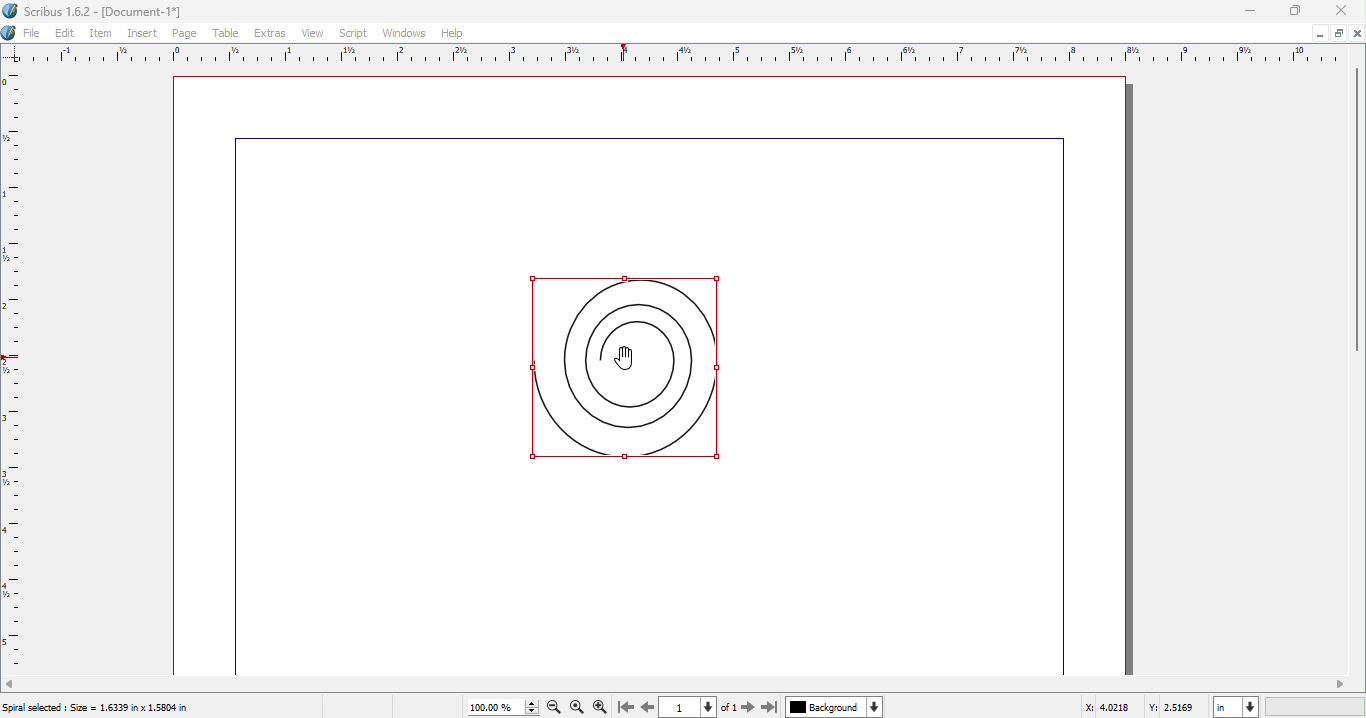 The height and width of the screenshot is (718, 1366). What do you see at coordinates (492, 708) in the screenshot?
I see `Current zoom level` at bounding box center [492, 708].